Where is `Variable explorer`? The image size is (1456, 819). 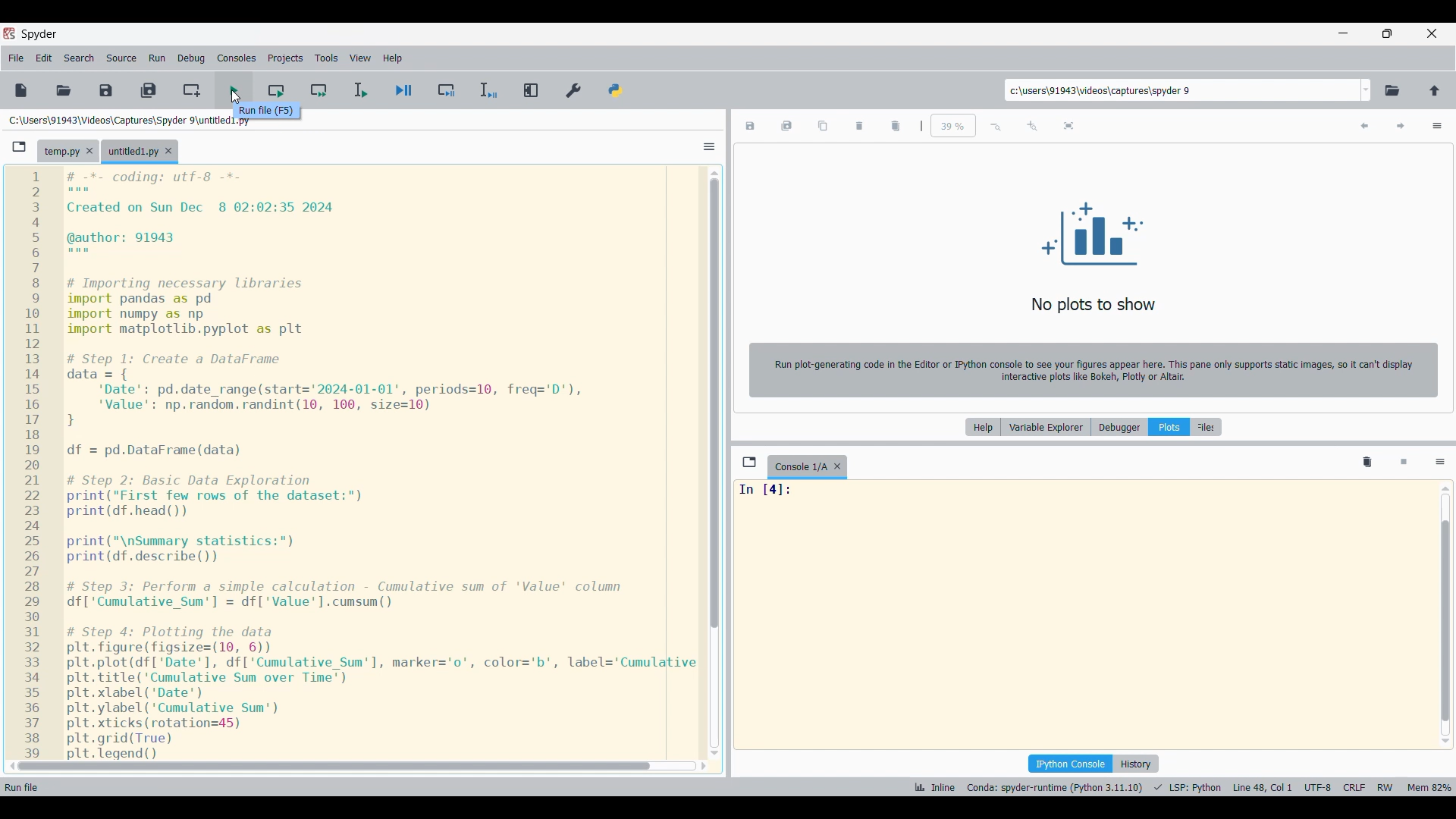
Variable explorer is located at coordinates (1045, 427).